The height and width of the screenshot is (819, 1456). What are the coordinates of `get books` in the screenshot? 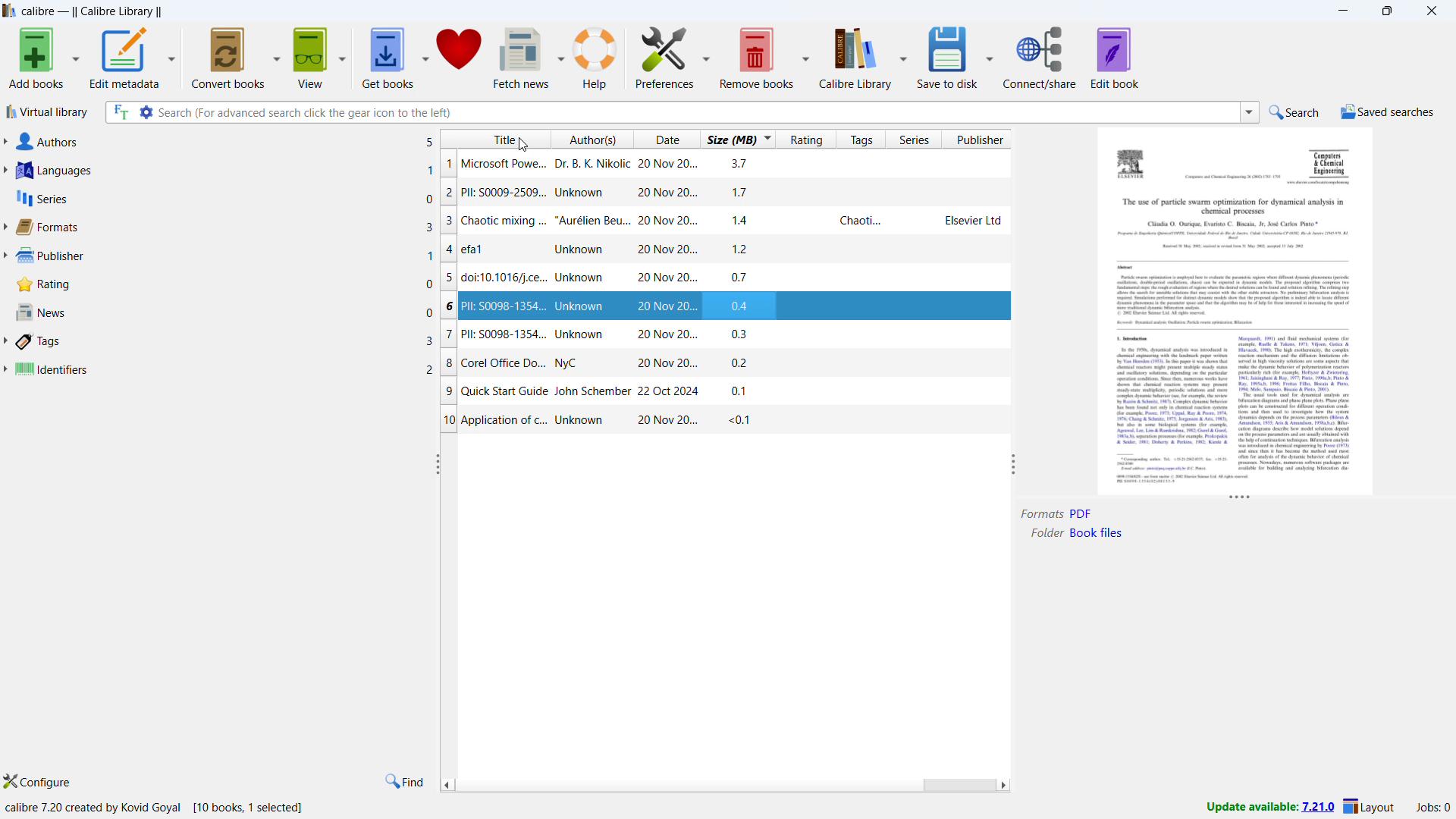 It's located at (312, 58).